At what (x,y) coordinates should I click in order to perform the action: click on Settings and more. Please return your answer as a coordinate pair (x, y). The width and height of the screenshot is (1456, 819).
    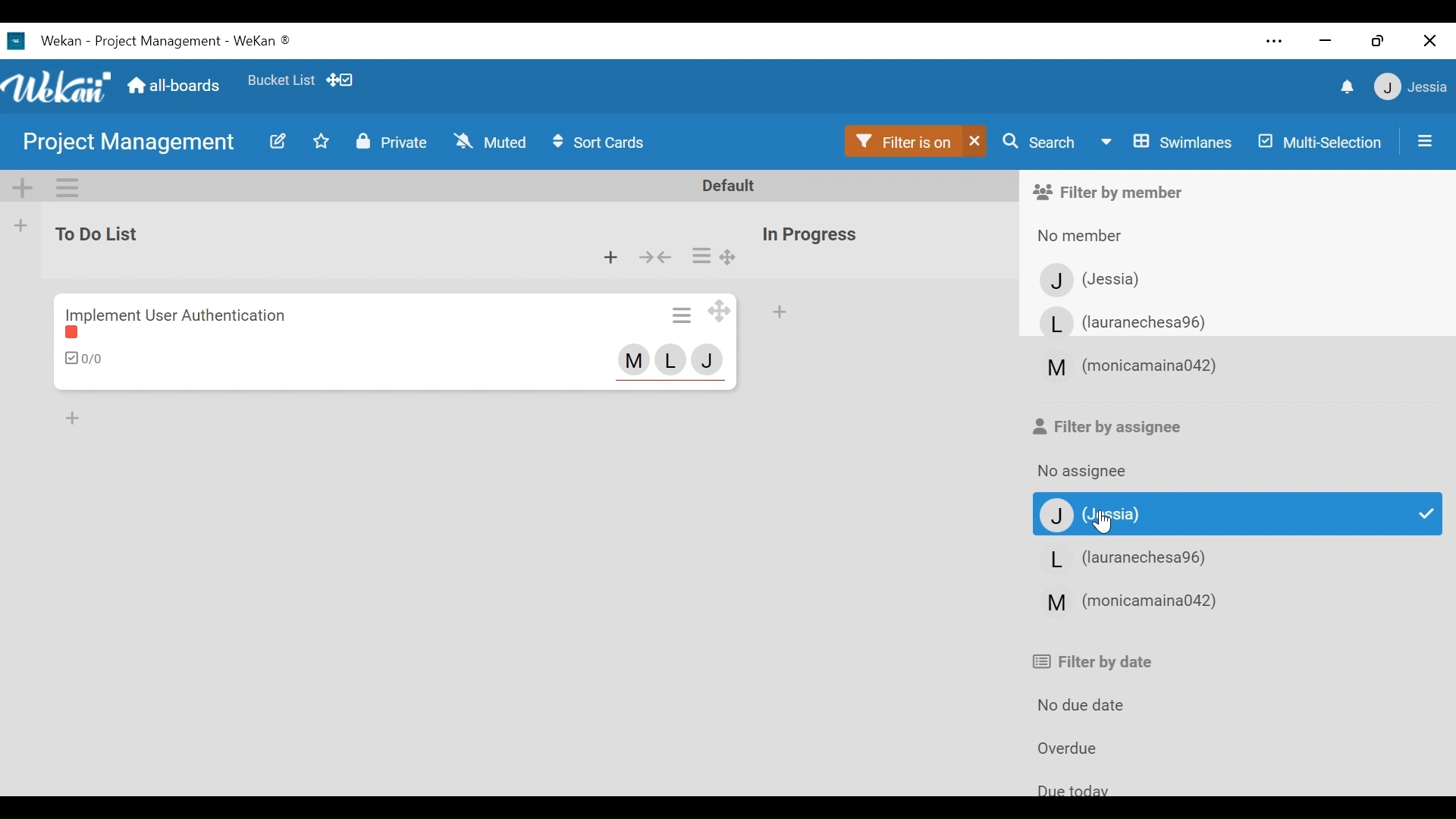
    Looking at the image, I should click on (1273, 42).